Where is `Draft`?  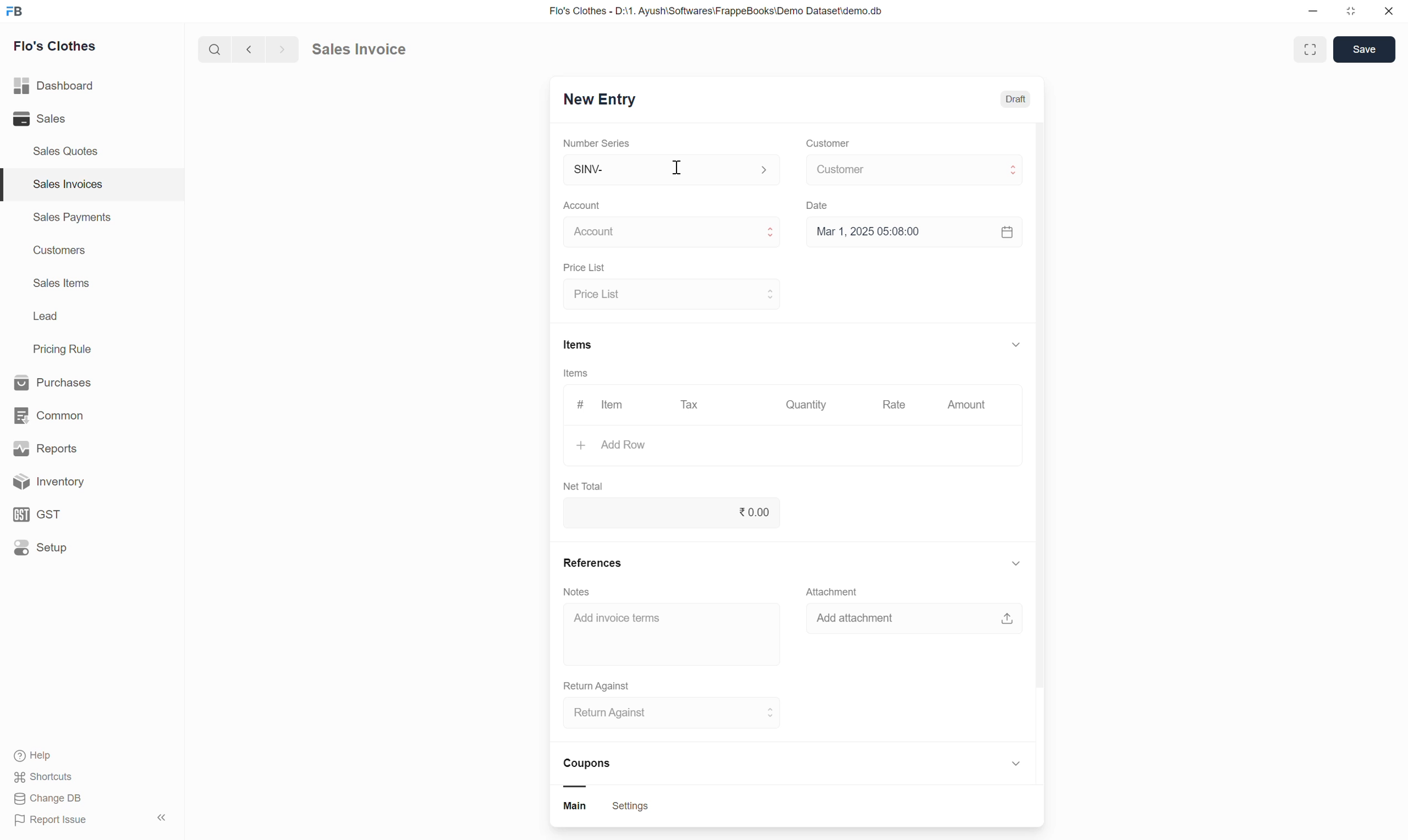 Draft is located at coordinates (1015, 100).